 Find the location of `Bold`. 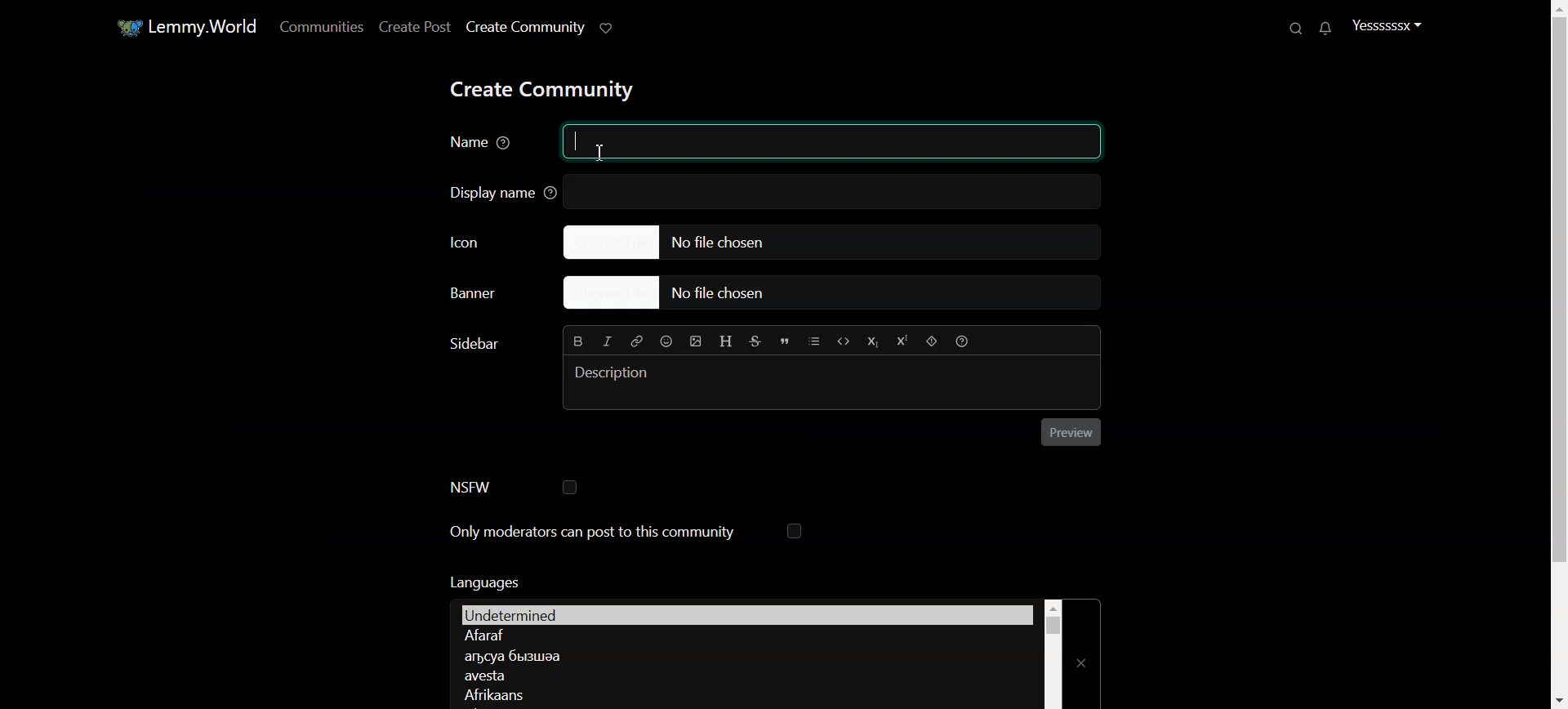

Bold is located at coordinates (579, 340).